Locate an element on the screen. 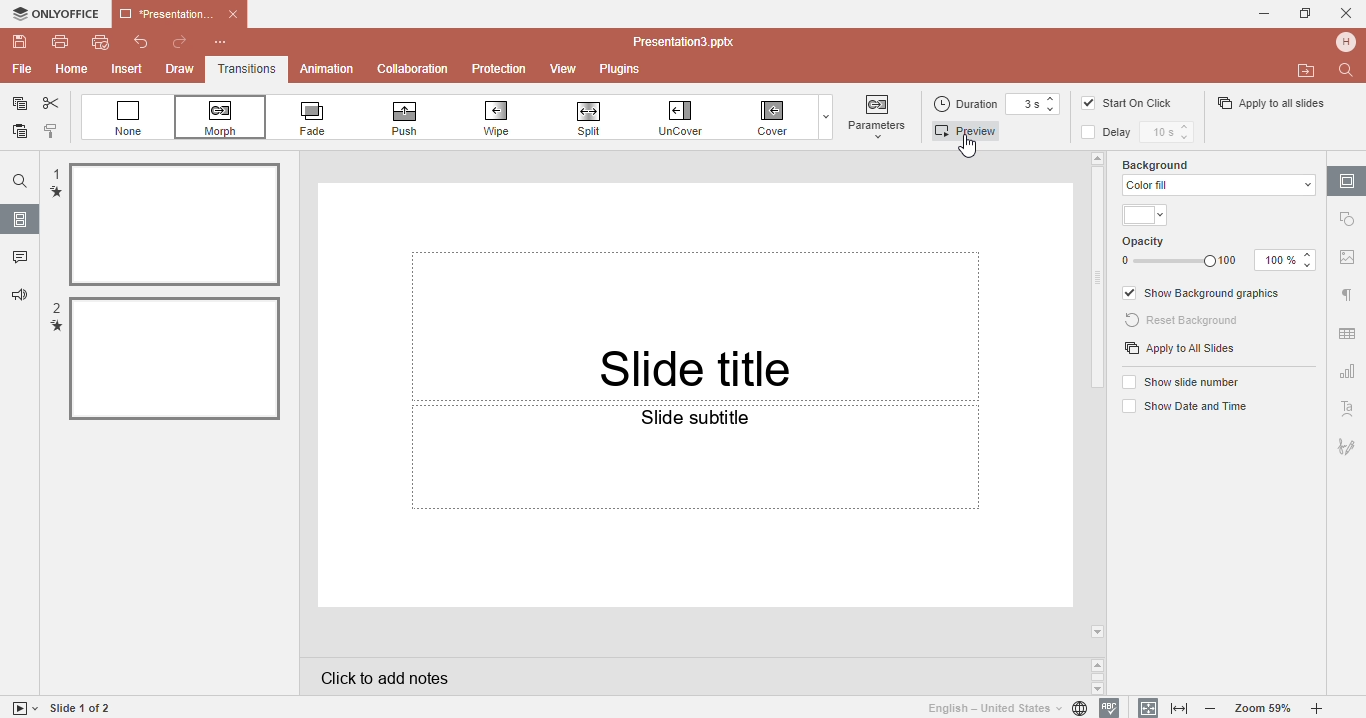 This screenshot has height=718, width=1366. Plugins is located at coordinates (629, 70).